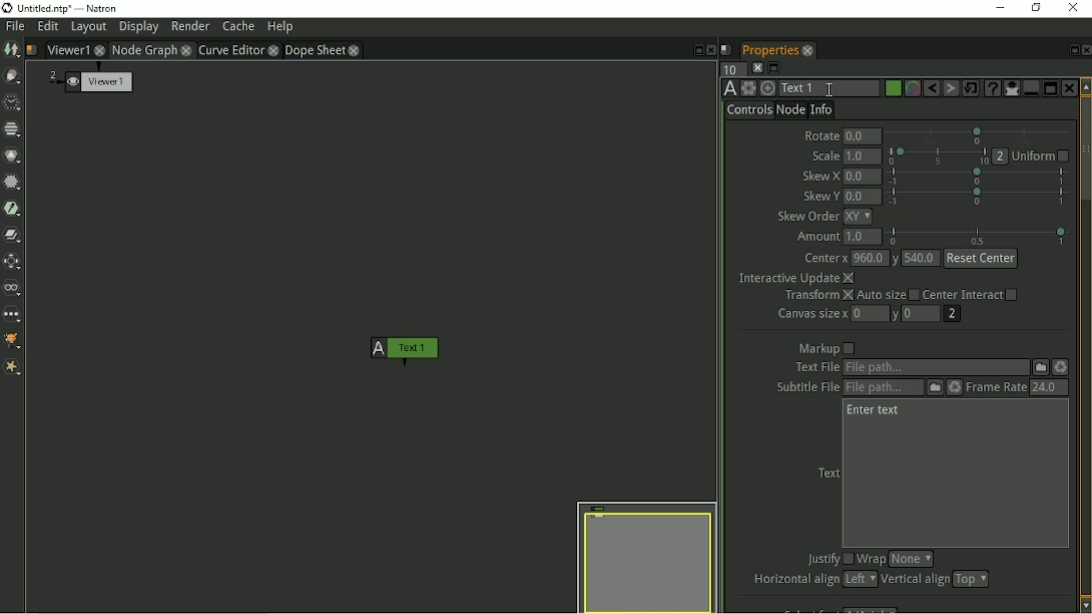 This screenshot has width=1092, height=614. What do you see at coordinates (812, 316) in the screenshot?
I see `Canvas size` at bounding box center [812, 316].